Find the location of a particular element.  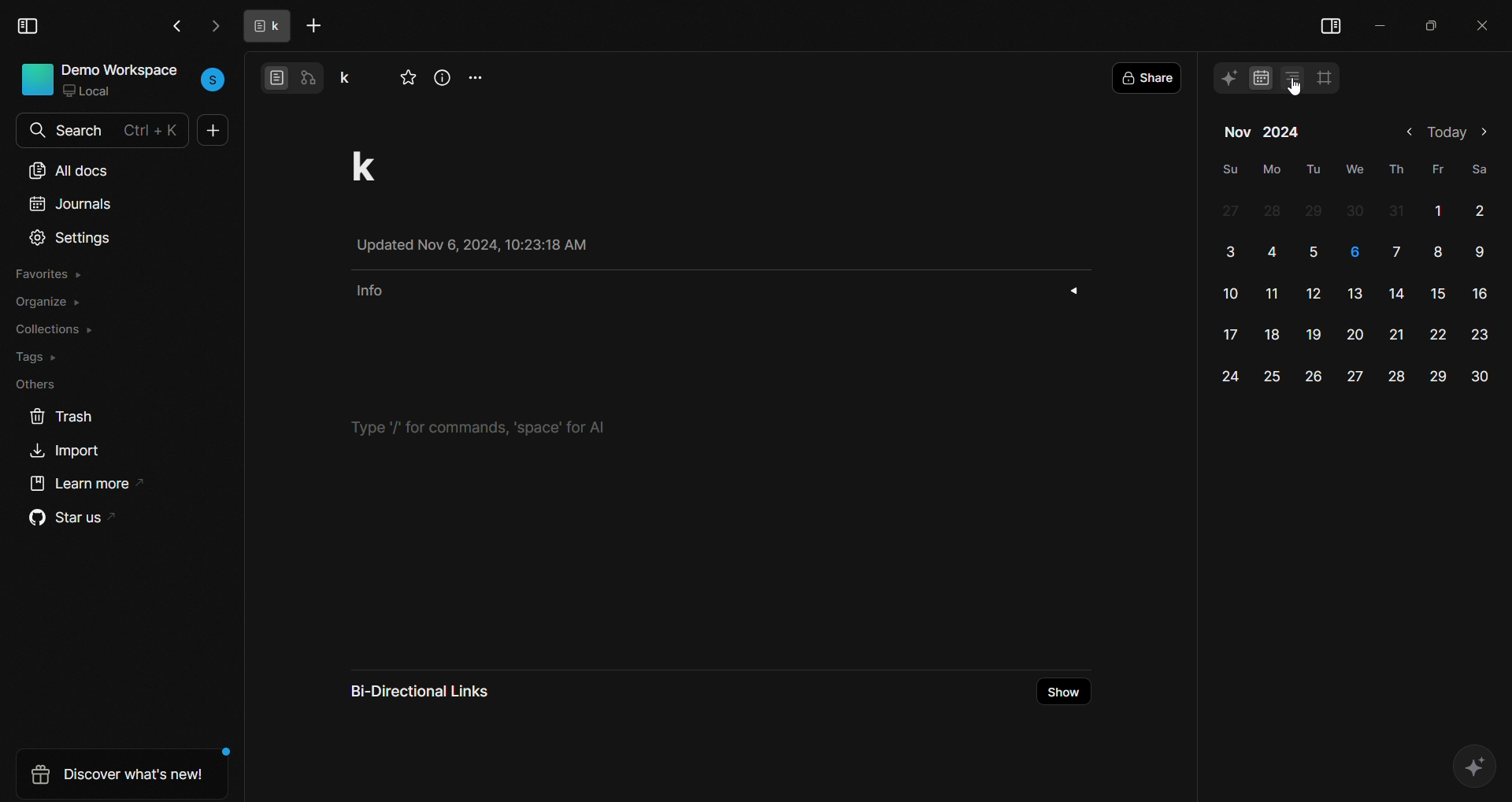

local is located at coordinates (94, 93).